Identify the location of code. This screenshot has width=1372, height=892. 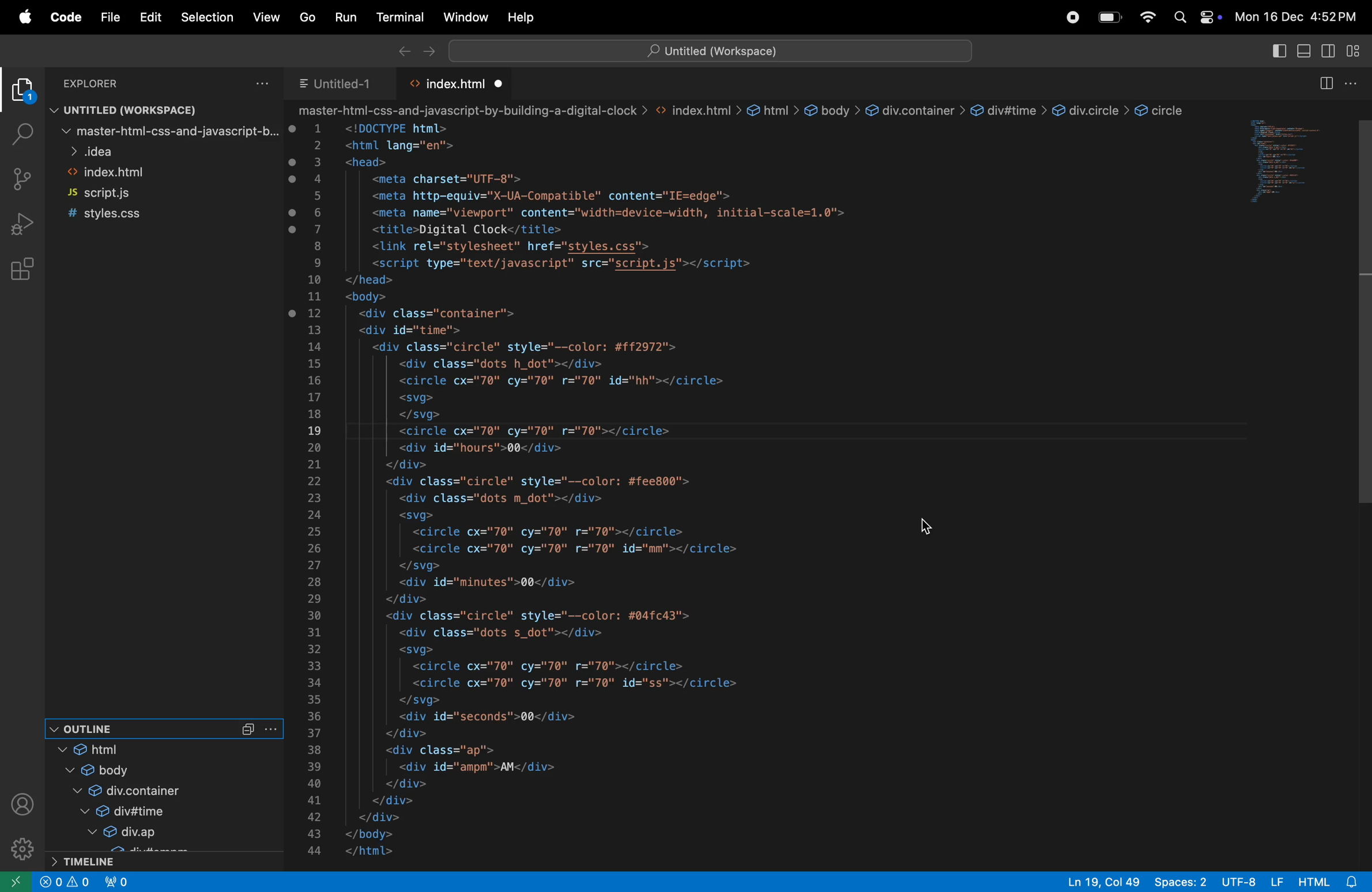
(63, 19).